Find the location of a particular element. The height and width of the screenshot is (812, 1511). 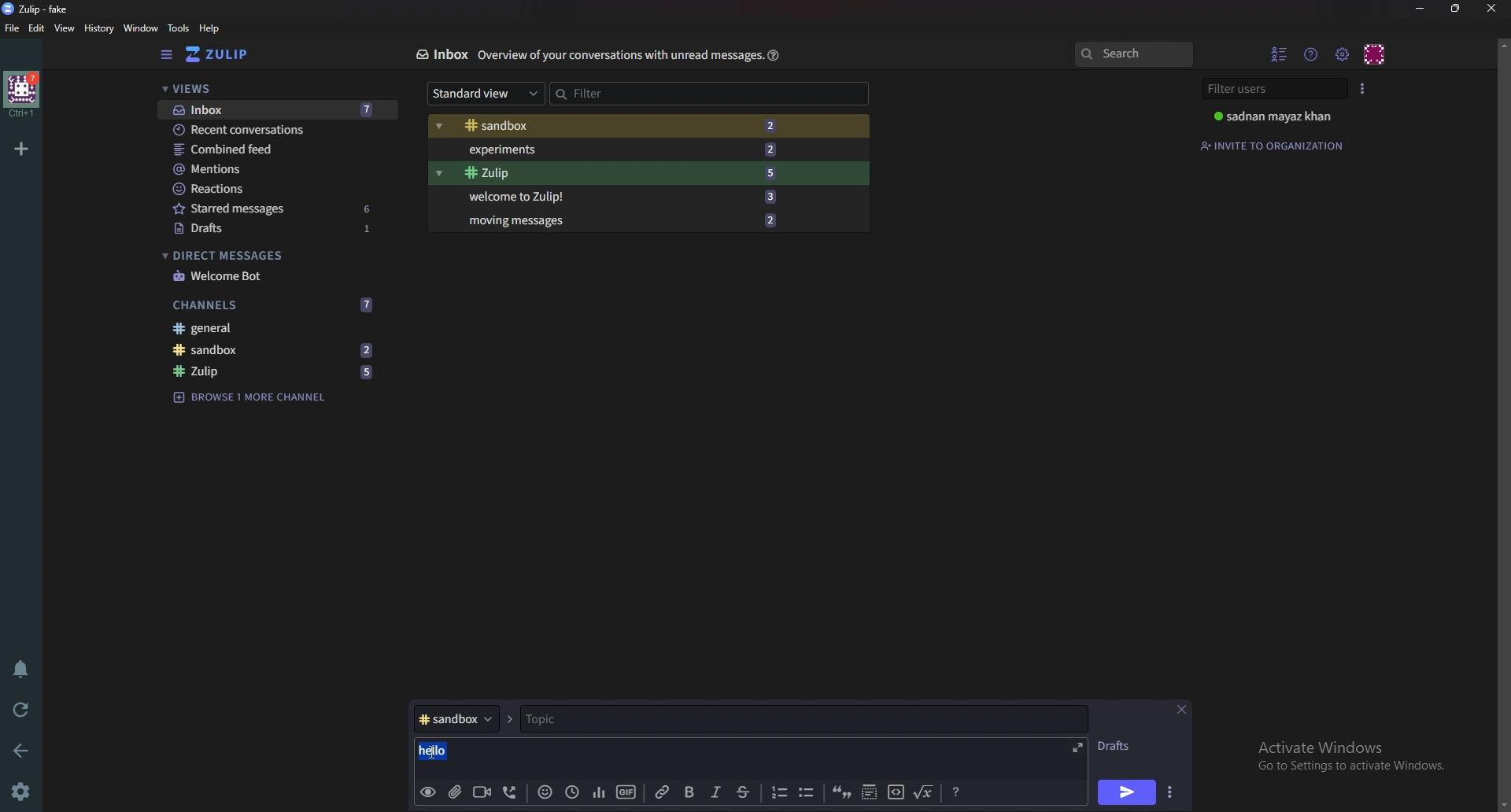

personal menu is located at coordinates (1376, 53).